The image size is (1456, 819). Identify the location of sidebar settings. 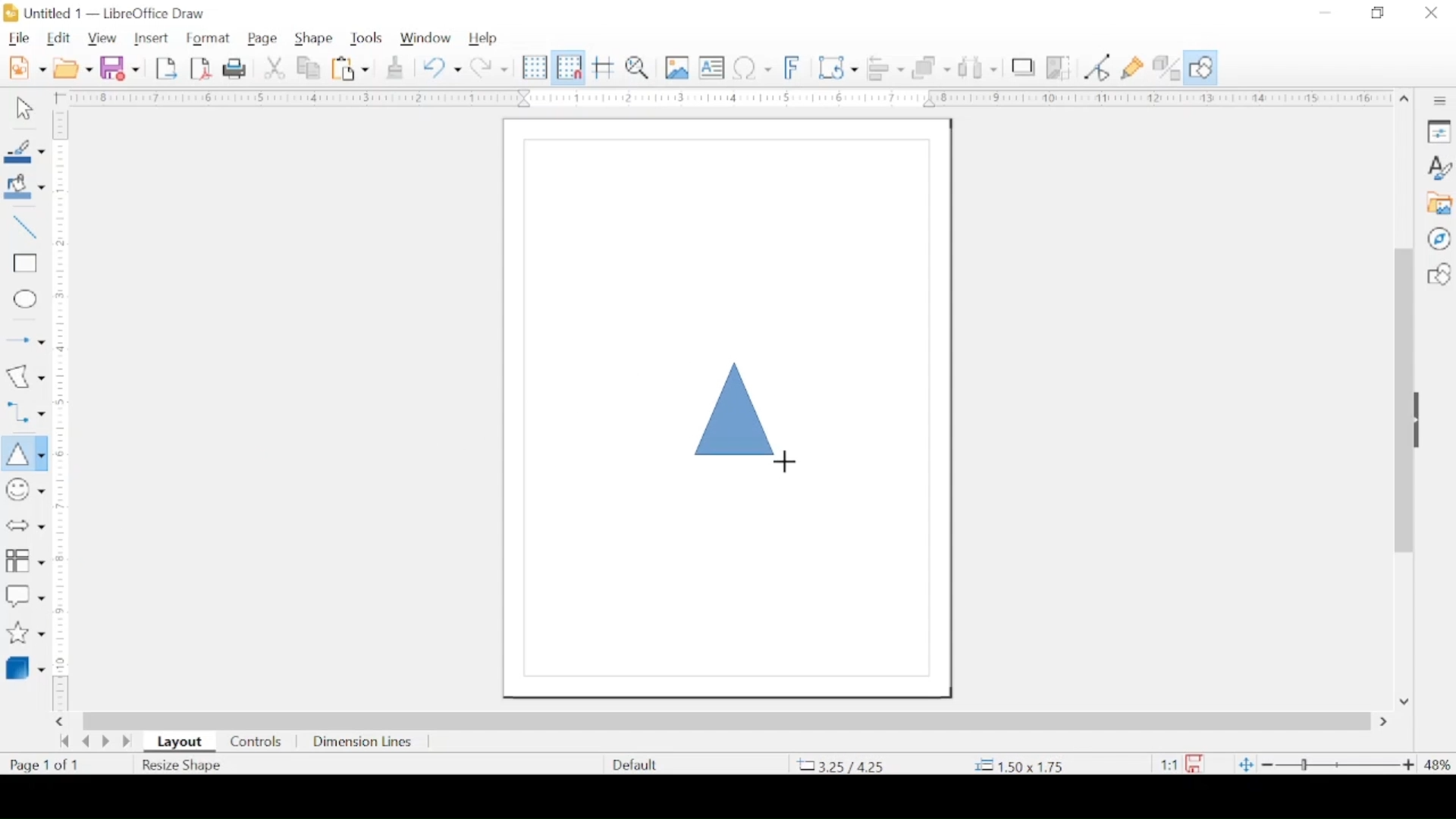
(1442, 102).